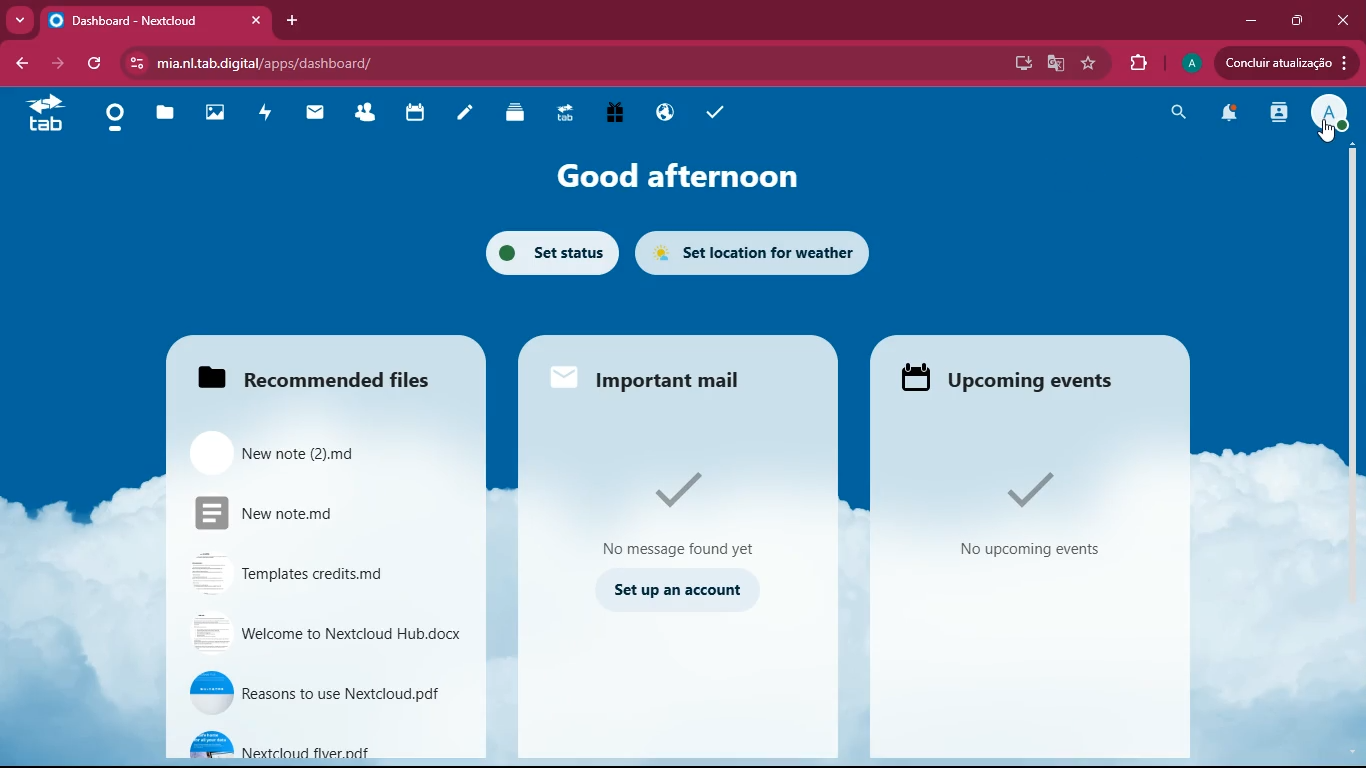  I want to click on extensions, so click(1136, 61).